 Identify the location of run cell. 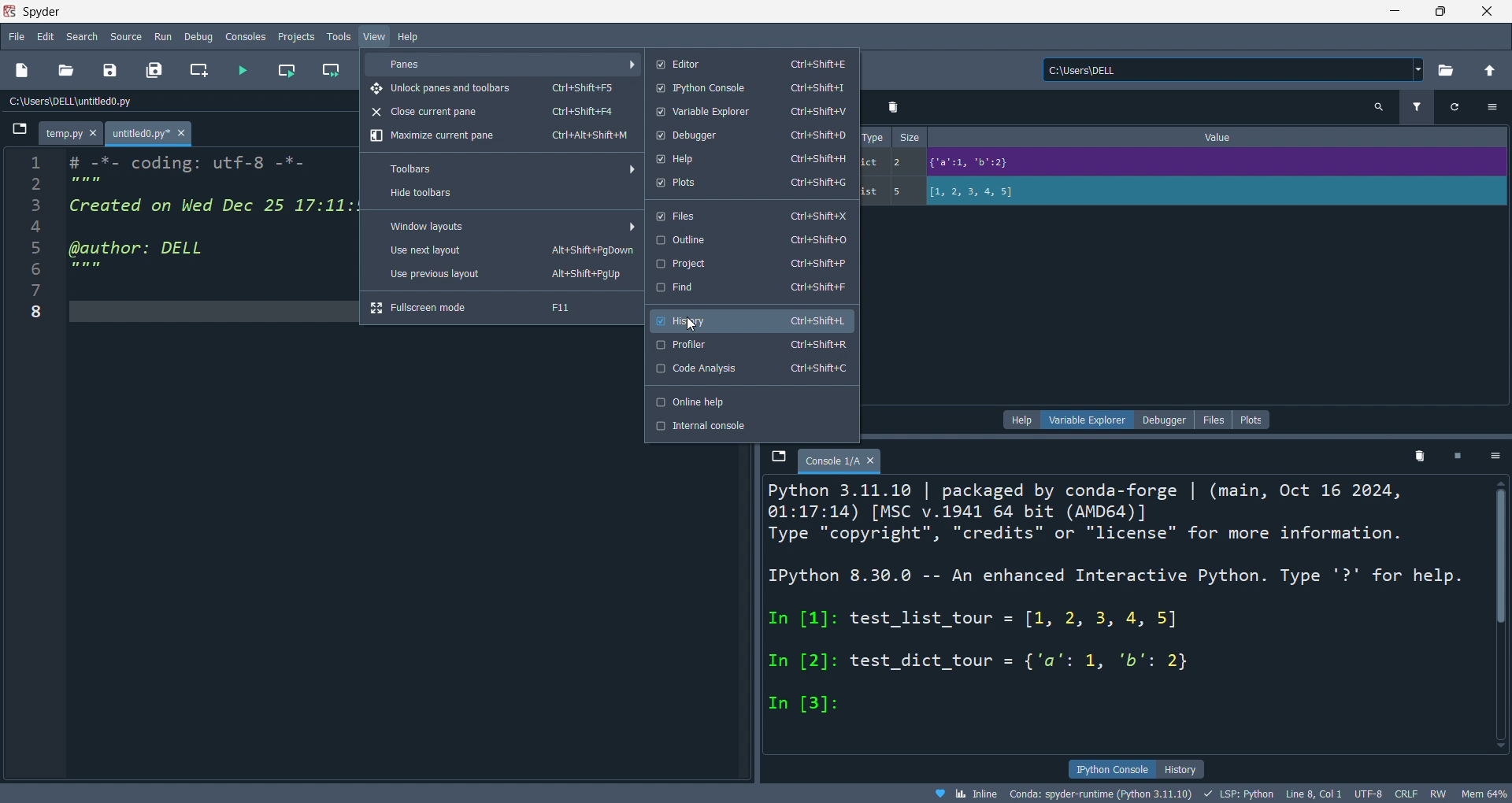
(285, 72).